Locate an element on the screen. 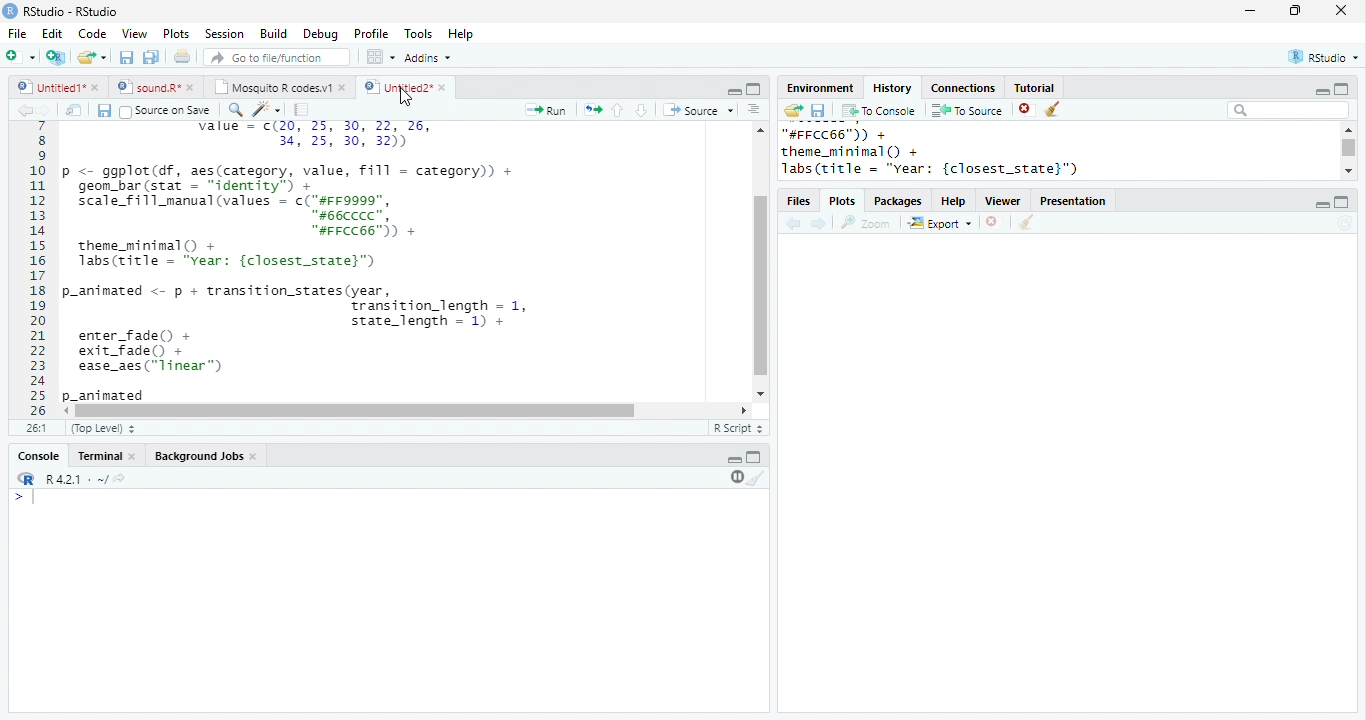 The width and height of the screenshot is (1366, 720). Addins is located at coordinates (428, 57).